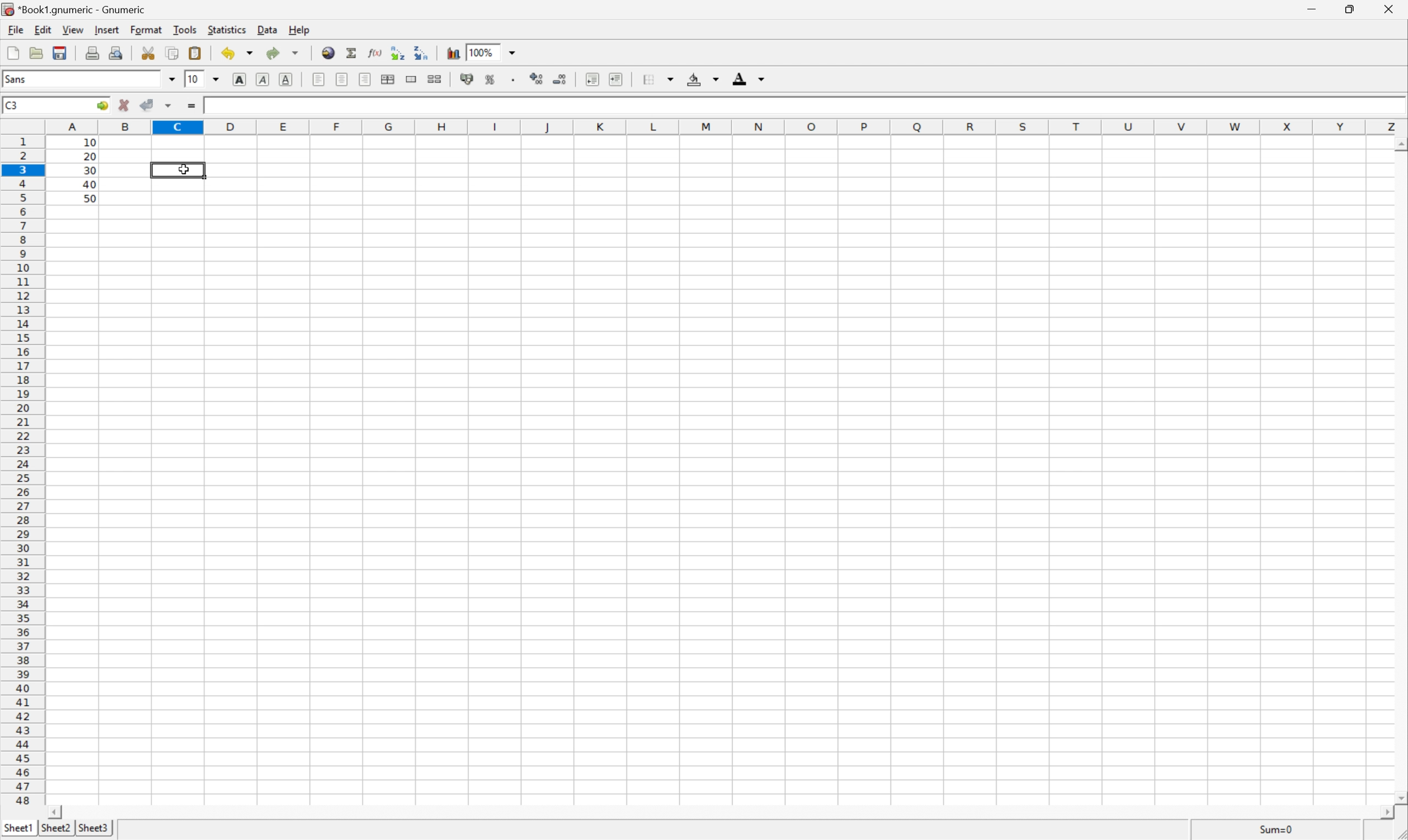 Image resolution: width=1408 pixels, height=840 pixels. What do you see at coordinates (453, 53) in the screenshot?
I see `Insert a chart ` at bounding box center [453, 53].